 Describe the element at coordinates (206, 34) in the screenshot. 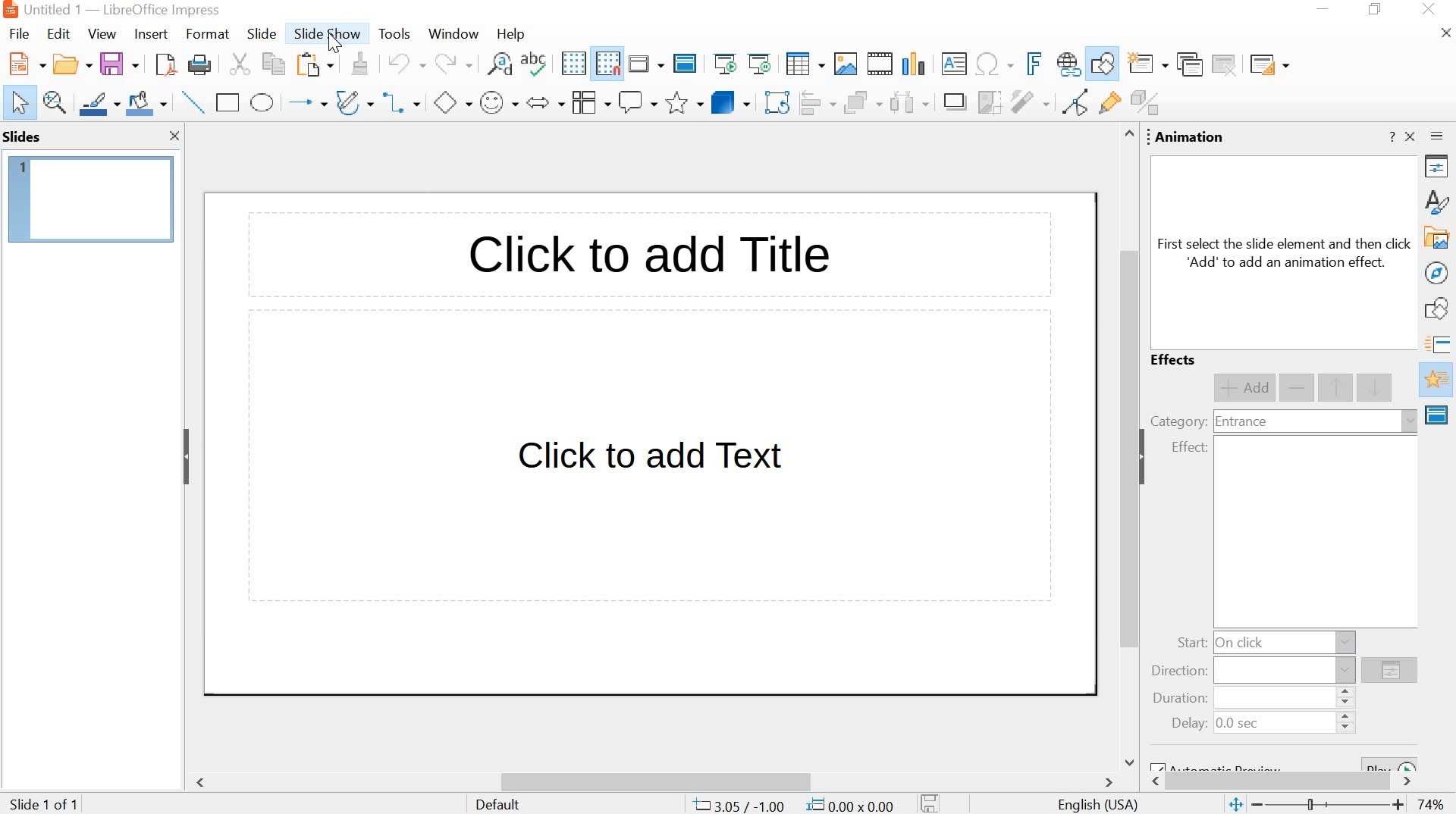

I see `format menu` at that location.